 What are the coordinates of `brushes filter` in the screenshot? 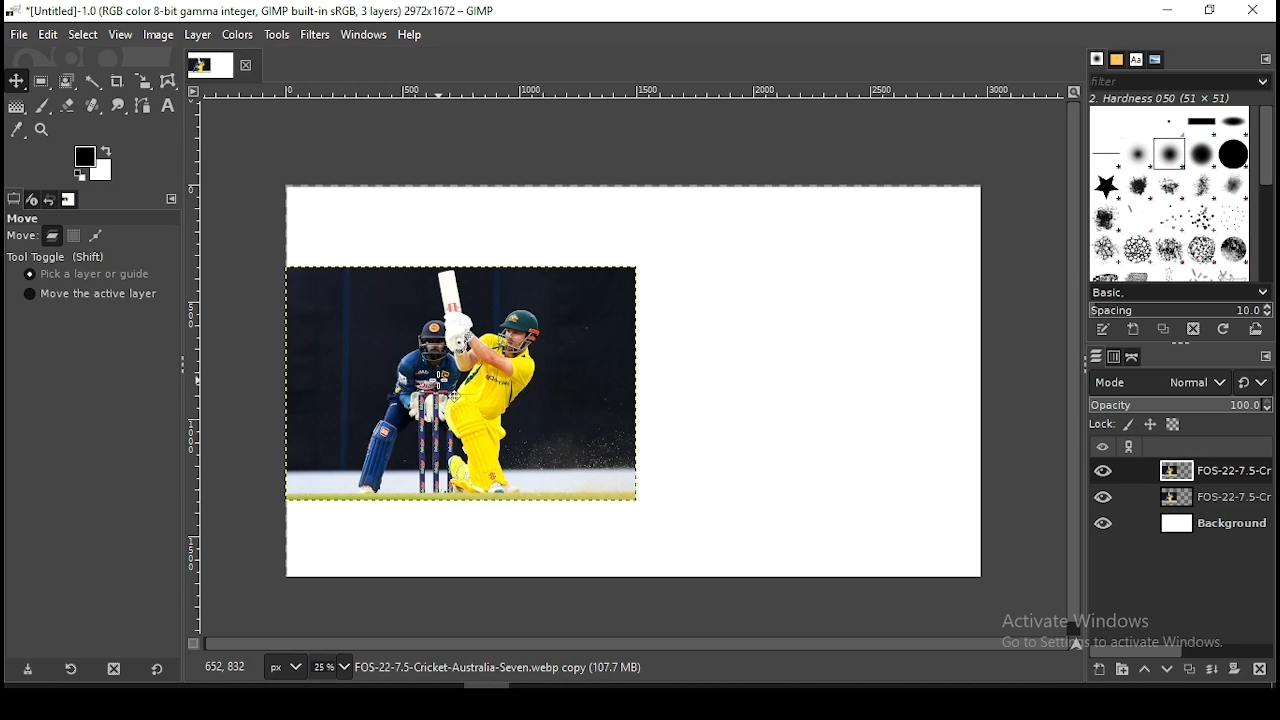 It's located at (1180, 80).